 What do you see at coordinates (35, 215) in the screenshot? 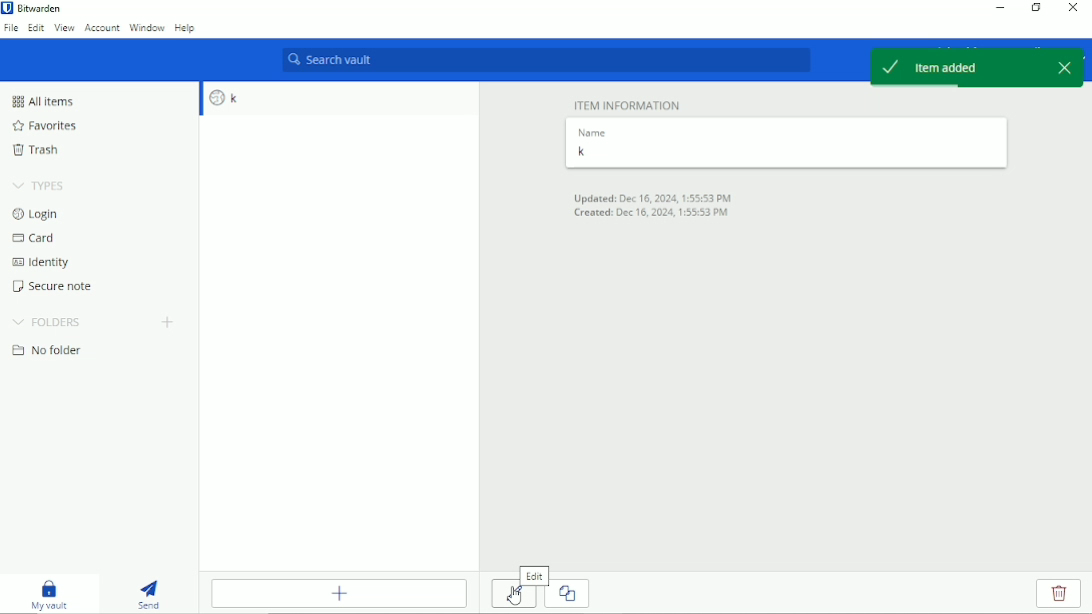
I see `Login` at bounding box center [35, 215].